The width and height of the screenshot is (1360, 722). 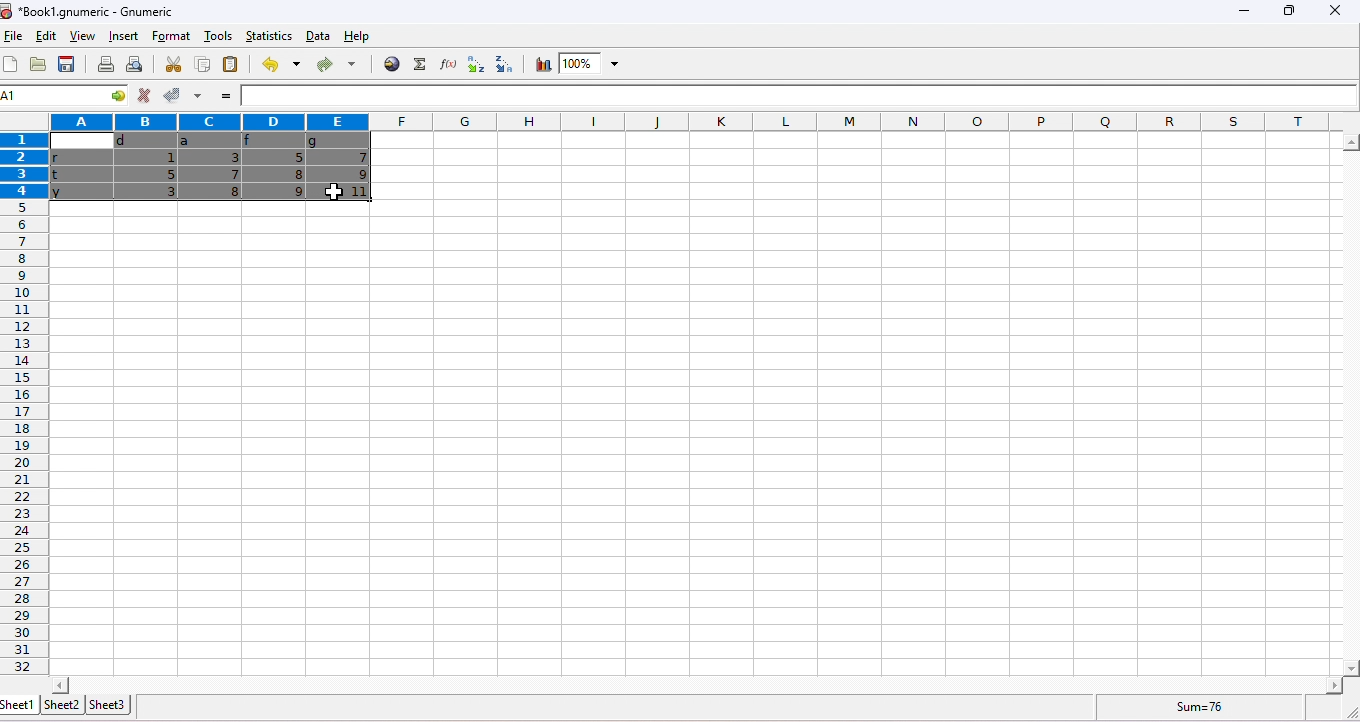 I want to click on copy, so click(x=201, y=64).